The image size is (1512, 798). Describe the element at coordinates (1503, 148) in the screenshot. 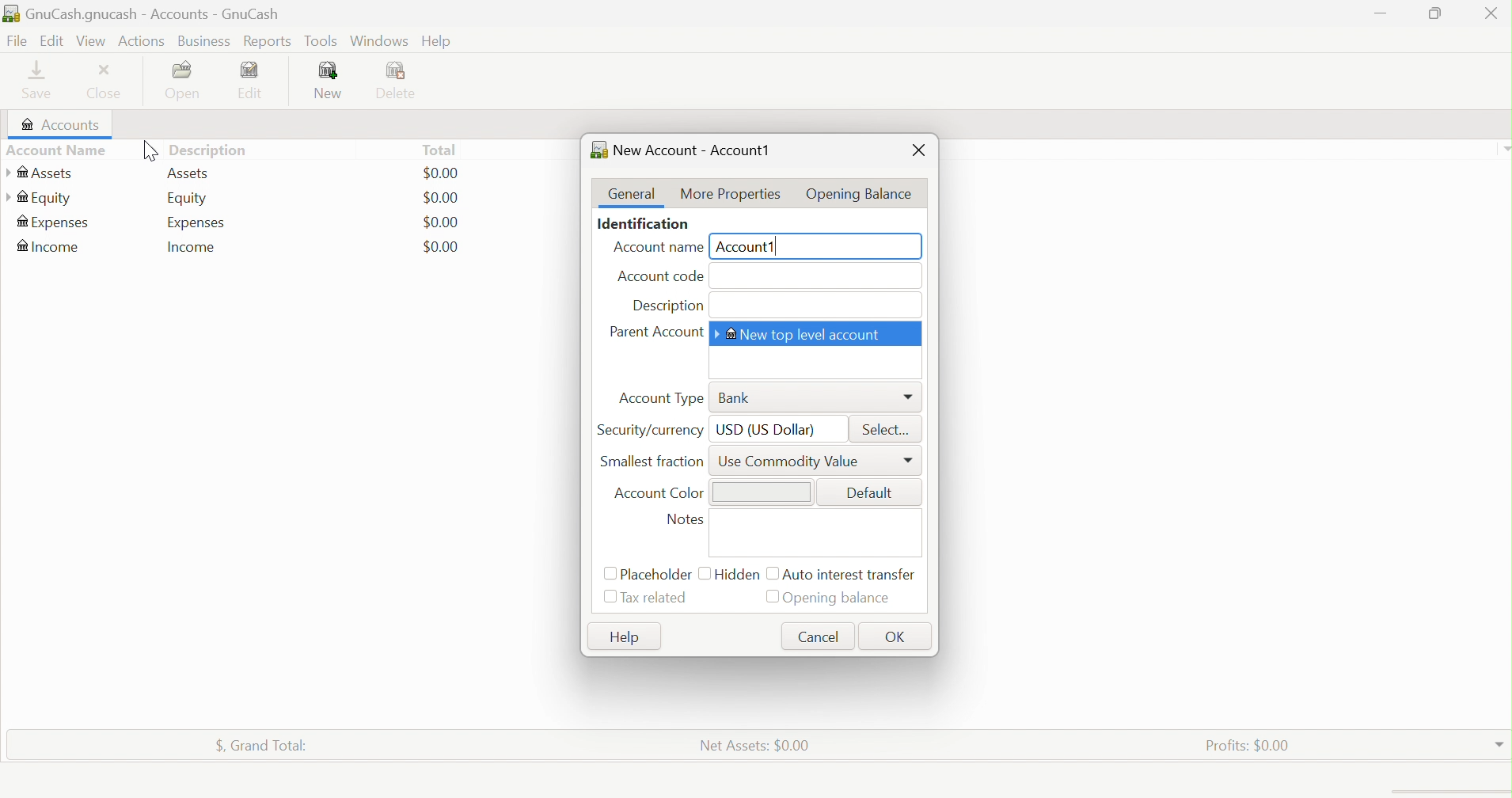

I see `Drop Down` at that location.